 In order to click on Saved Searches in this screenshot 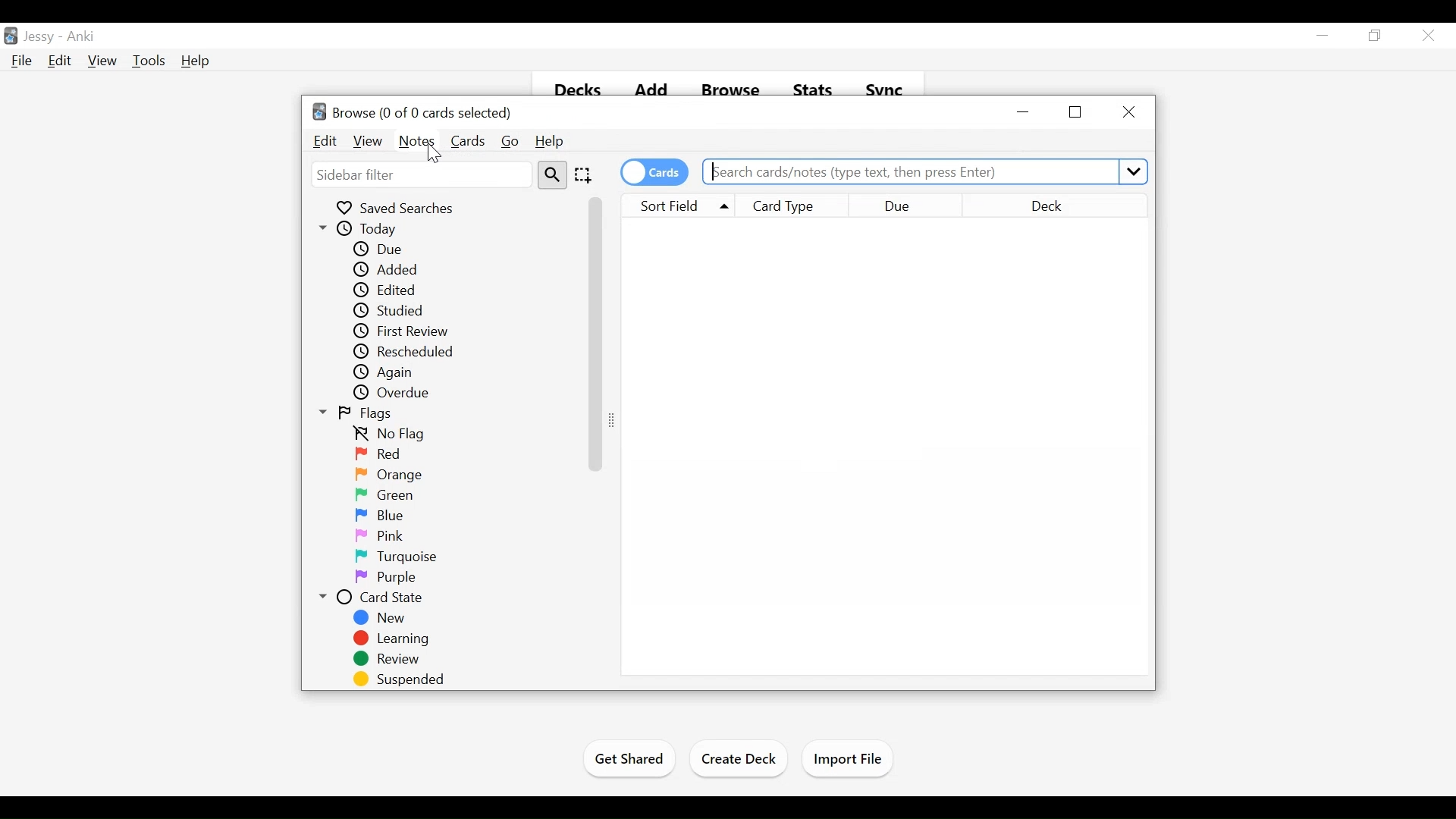, I will do `click(397, 207)`.